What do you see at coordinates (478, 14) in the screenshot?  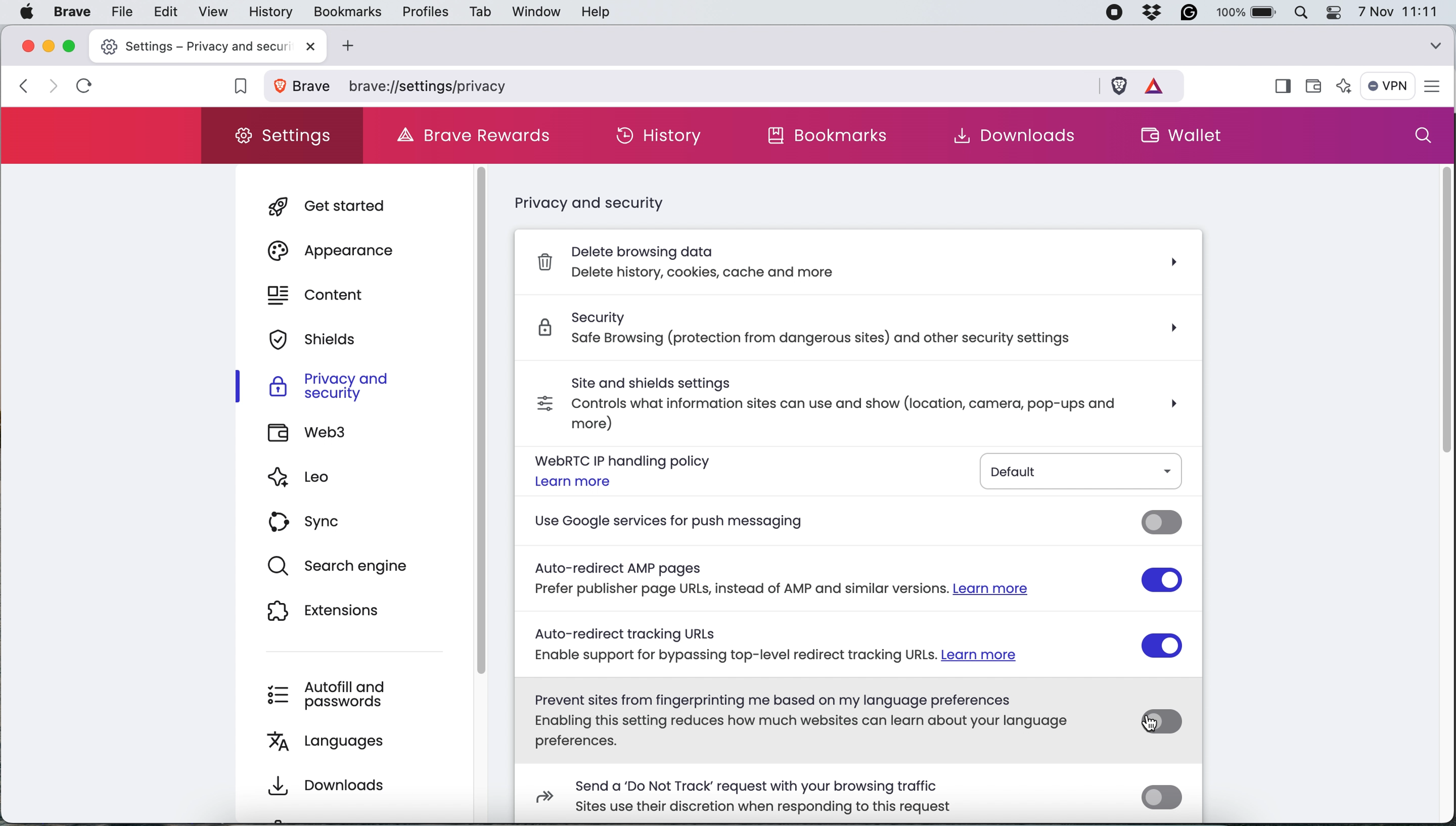 I see `tab` at bounding box center [478, 14].